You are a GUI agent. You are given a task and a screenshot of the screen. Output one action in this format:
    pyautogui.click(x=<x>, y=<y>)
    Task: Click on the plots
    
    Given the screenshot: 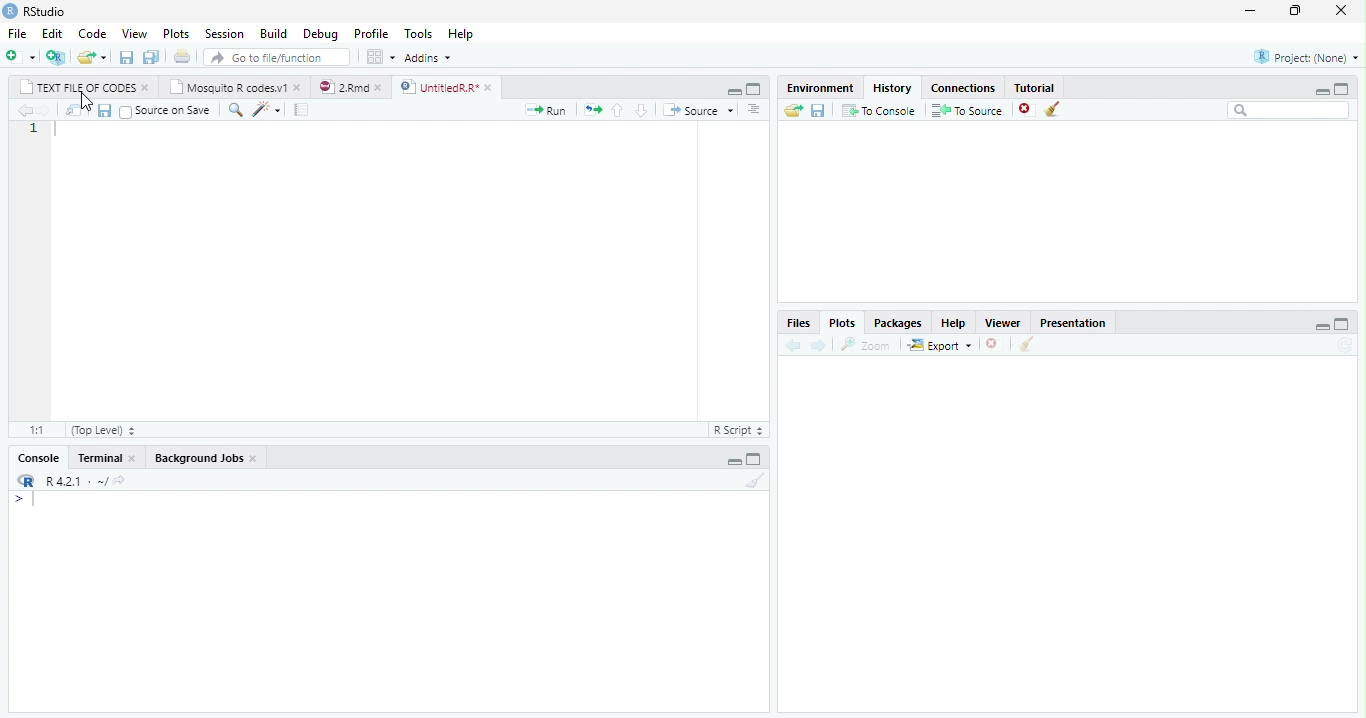 What is the action you would take?
    pyautogui.click(x=174, y=32)
    